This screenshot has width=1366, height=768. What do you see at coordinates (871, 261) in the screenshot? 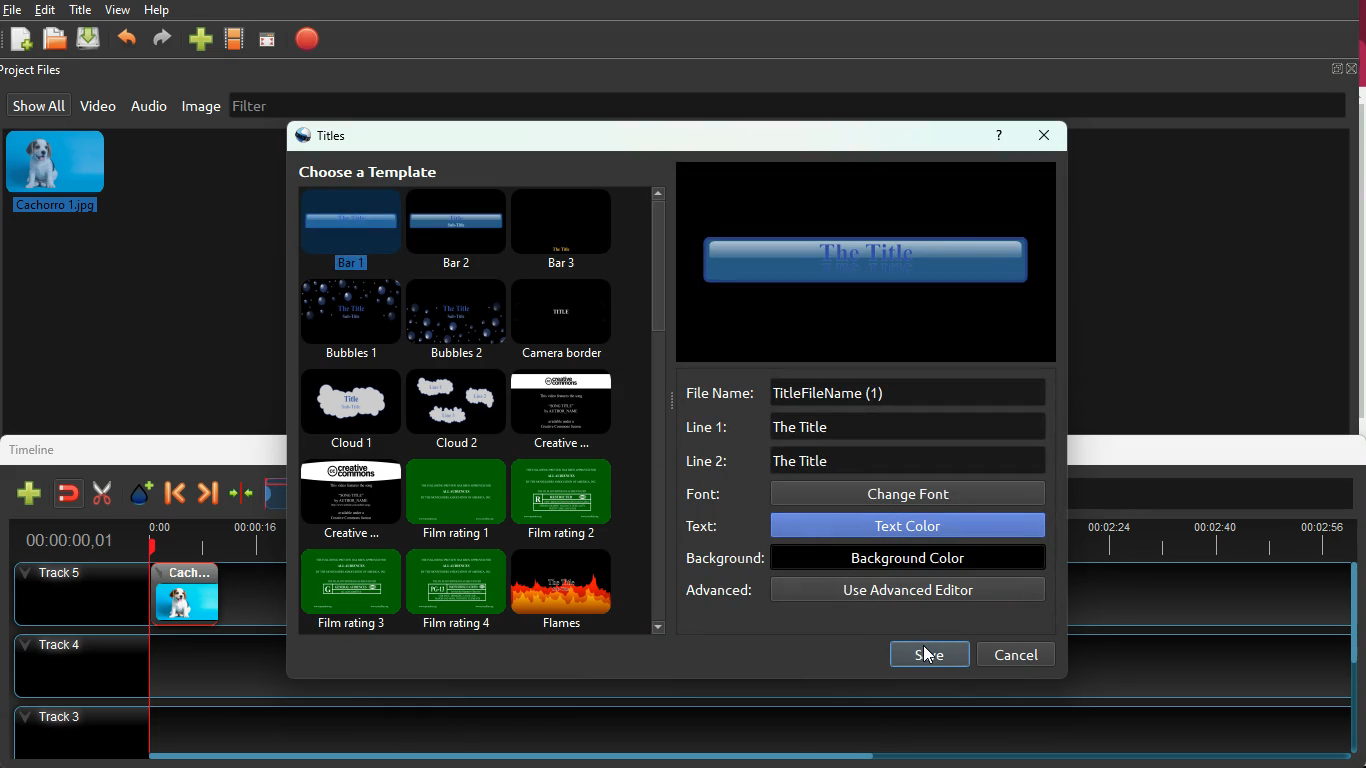
I see `selected title` at bounding box center [871, 261].